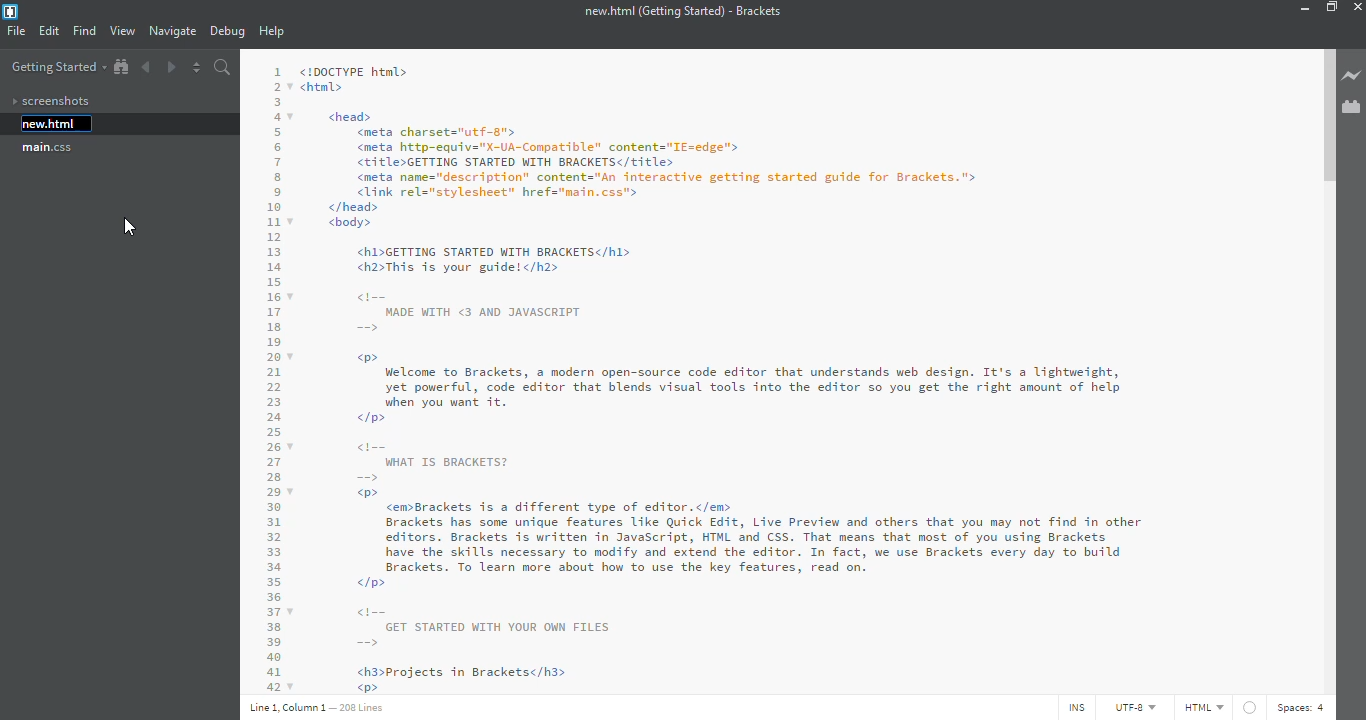 The width and height of the screenshot is (1366, 720). I want to click on back, so click(149, 66).